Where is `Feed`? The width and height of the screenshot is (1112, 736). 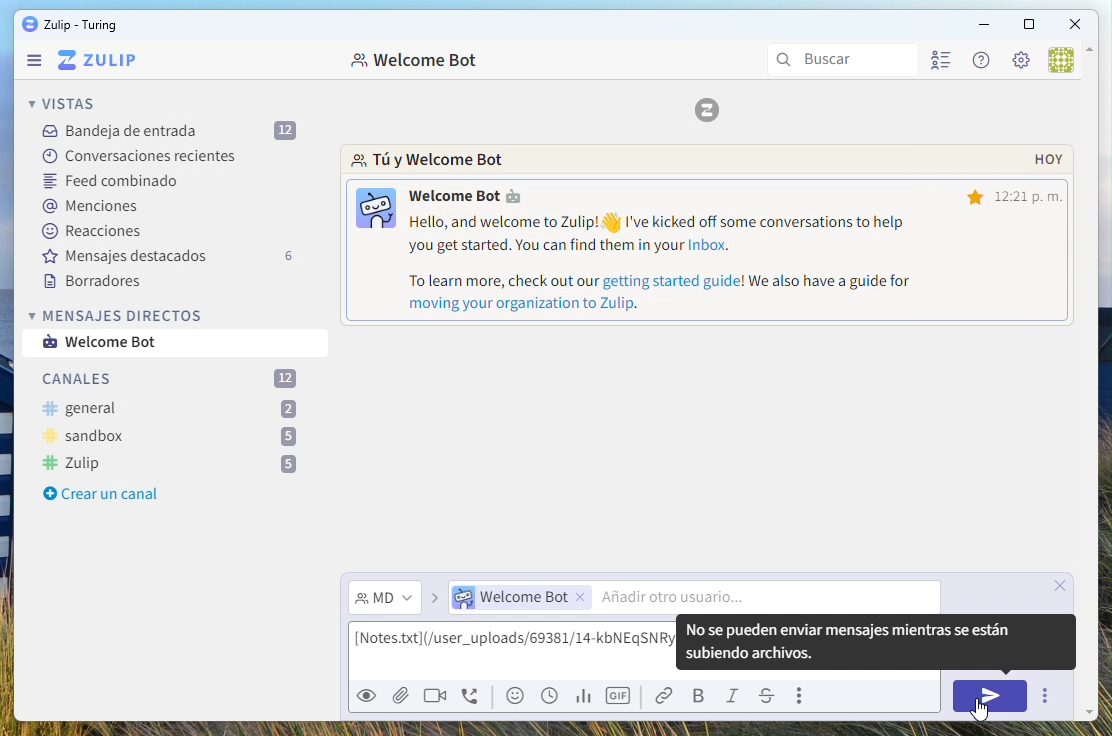 Feed is located at coordinates (114, 183).